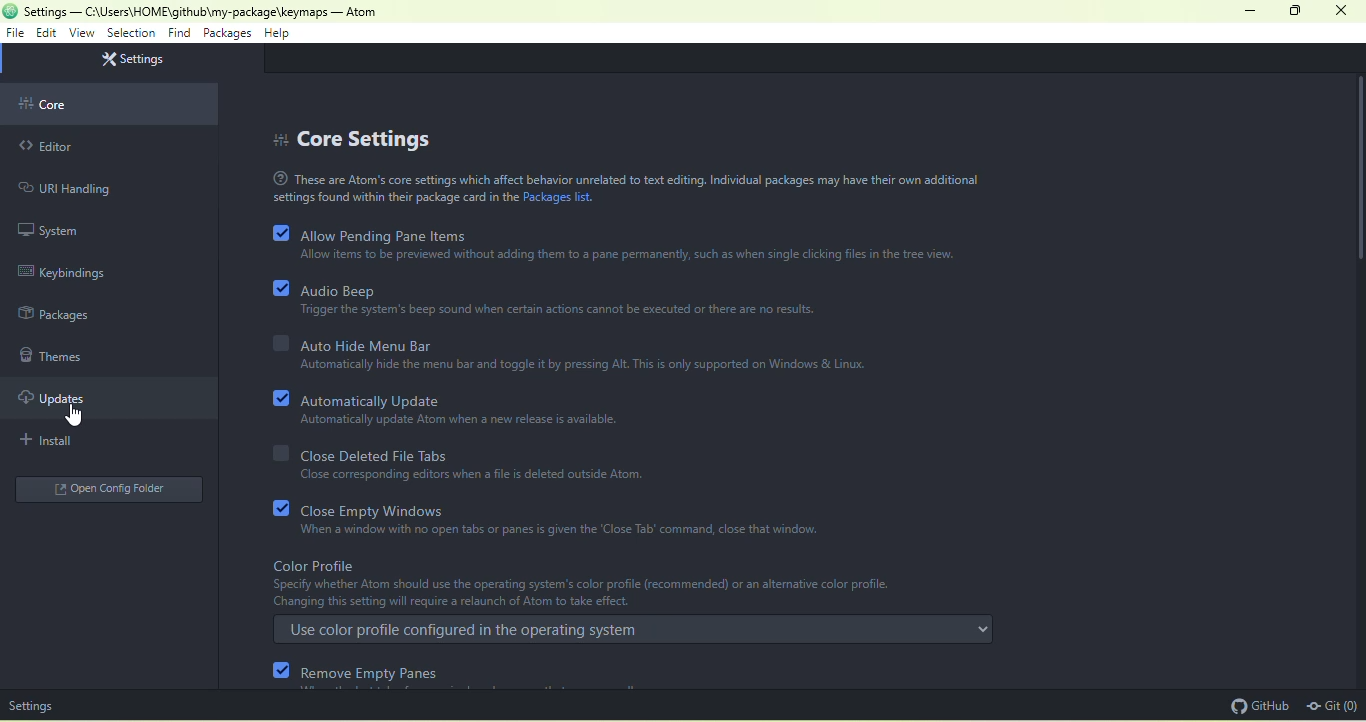 Image resolution: width=1366 pixels, height=722 pixels. What do you see at coordinates (394, 196) in the screenshot?
I see `settings found within..` at bounding box center [394, 196].